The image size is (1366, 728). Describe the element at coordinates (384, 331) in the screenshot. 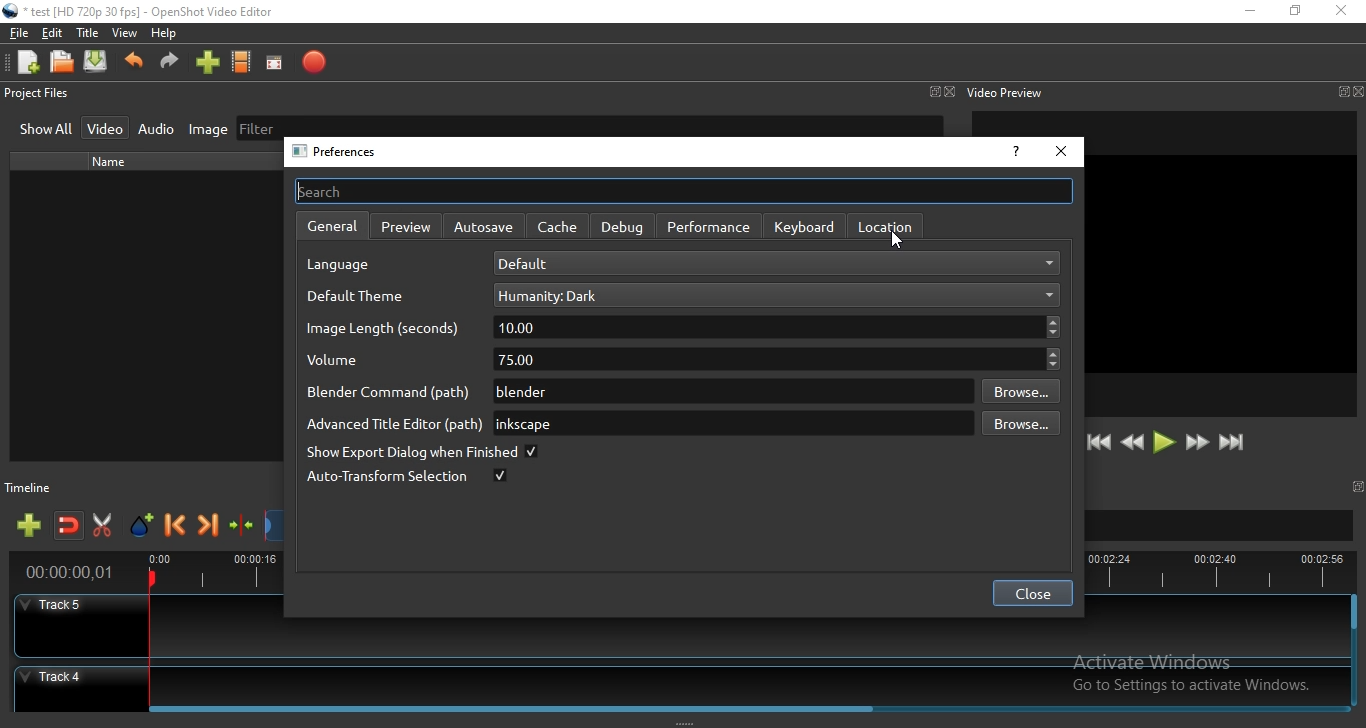

I see `image length` at that location.